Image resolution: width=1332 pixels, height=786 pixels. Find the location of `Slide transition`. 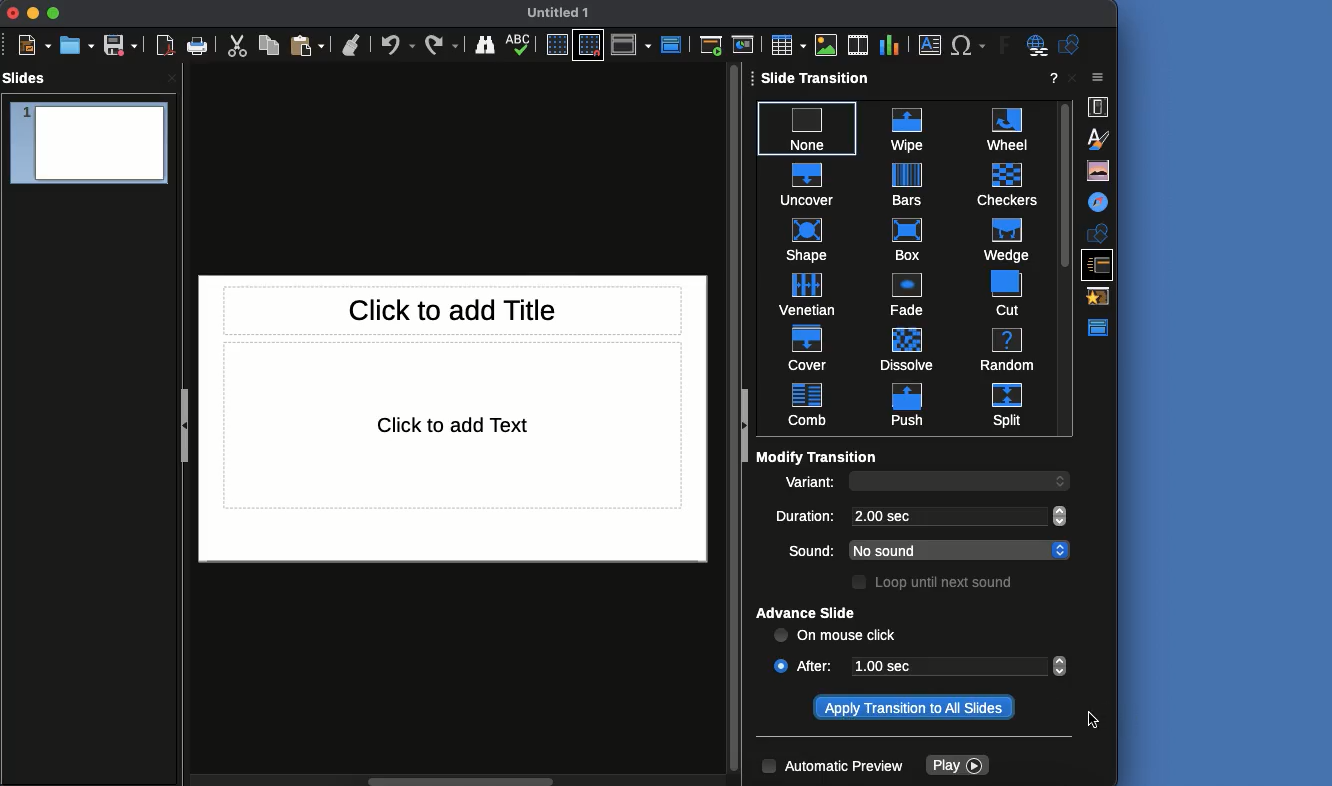

Slide transition is located at coordinates (1101, 263).